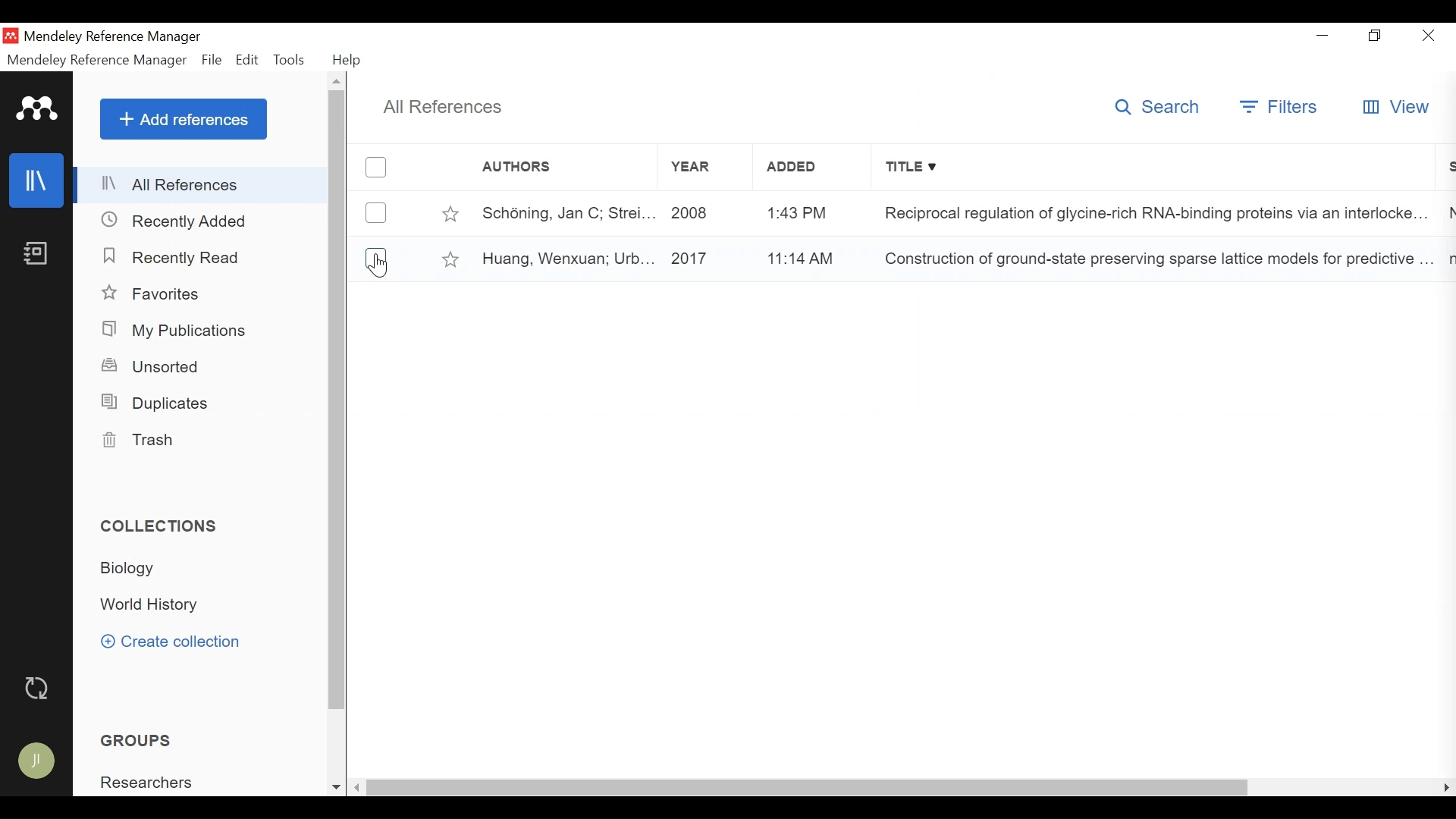 Image resolution: width=1456 pixels, height=819 pixels. Describe the element at coordinates (695, 211) in the screenshot. I see `2008` at that location.